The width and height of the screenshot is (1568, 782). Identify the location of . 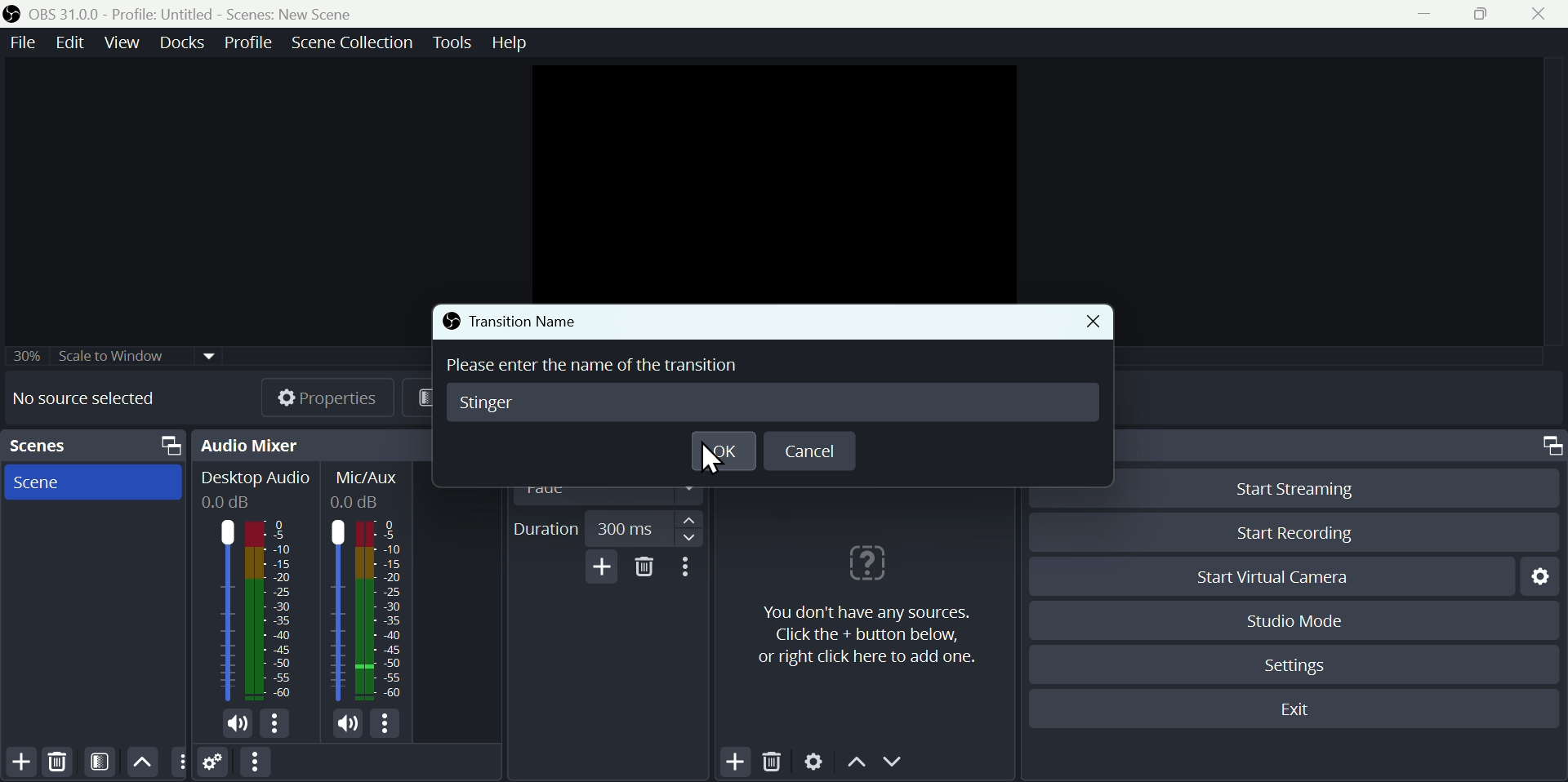
(73, 42).